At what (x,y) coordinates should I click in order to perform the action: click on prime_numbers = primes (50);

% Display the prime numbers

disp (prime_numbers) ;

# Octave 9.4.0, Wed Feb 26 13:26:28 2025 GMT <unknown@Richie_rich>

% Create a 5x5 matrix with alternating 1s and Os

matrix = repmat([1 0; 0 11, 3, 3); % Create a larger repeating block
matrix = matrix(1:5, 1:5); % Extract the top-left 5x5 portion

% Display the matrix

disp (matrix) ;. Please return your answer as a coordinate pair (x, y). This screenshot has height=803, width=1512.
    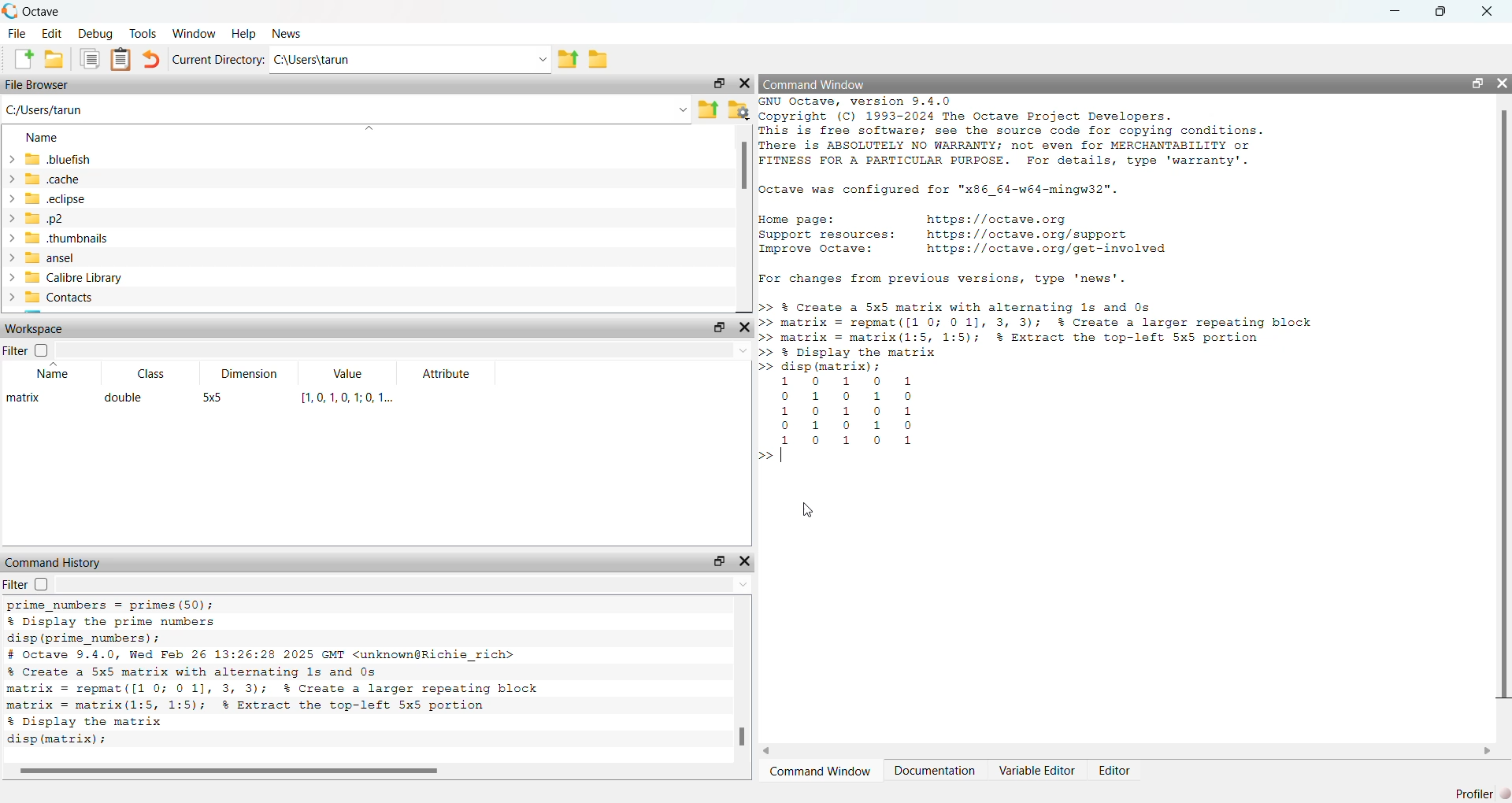
    Looking at the image, I should click on (281, 677).